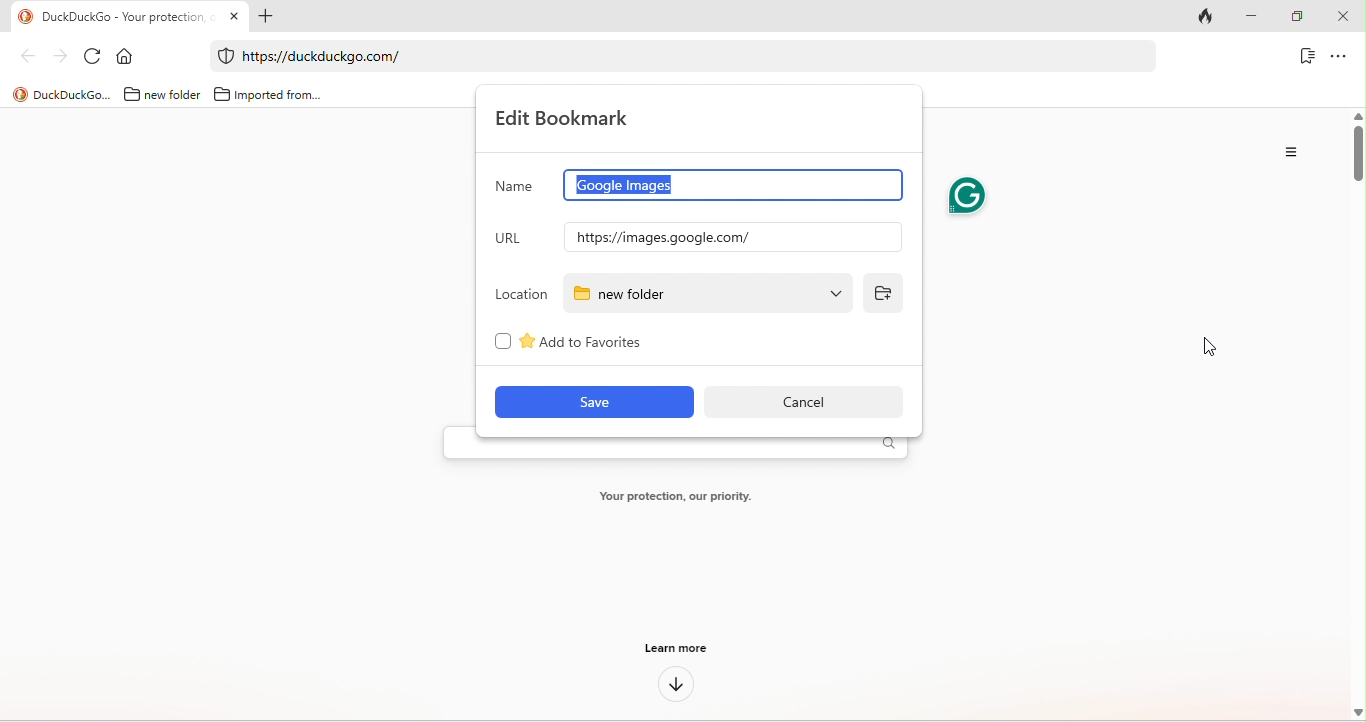 Image resolution: width=1366 pixels, height=722 pixels. I want to click on save, so click(592, 403).